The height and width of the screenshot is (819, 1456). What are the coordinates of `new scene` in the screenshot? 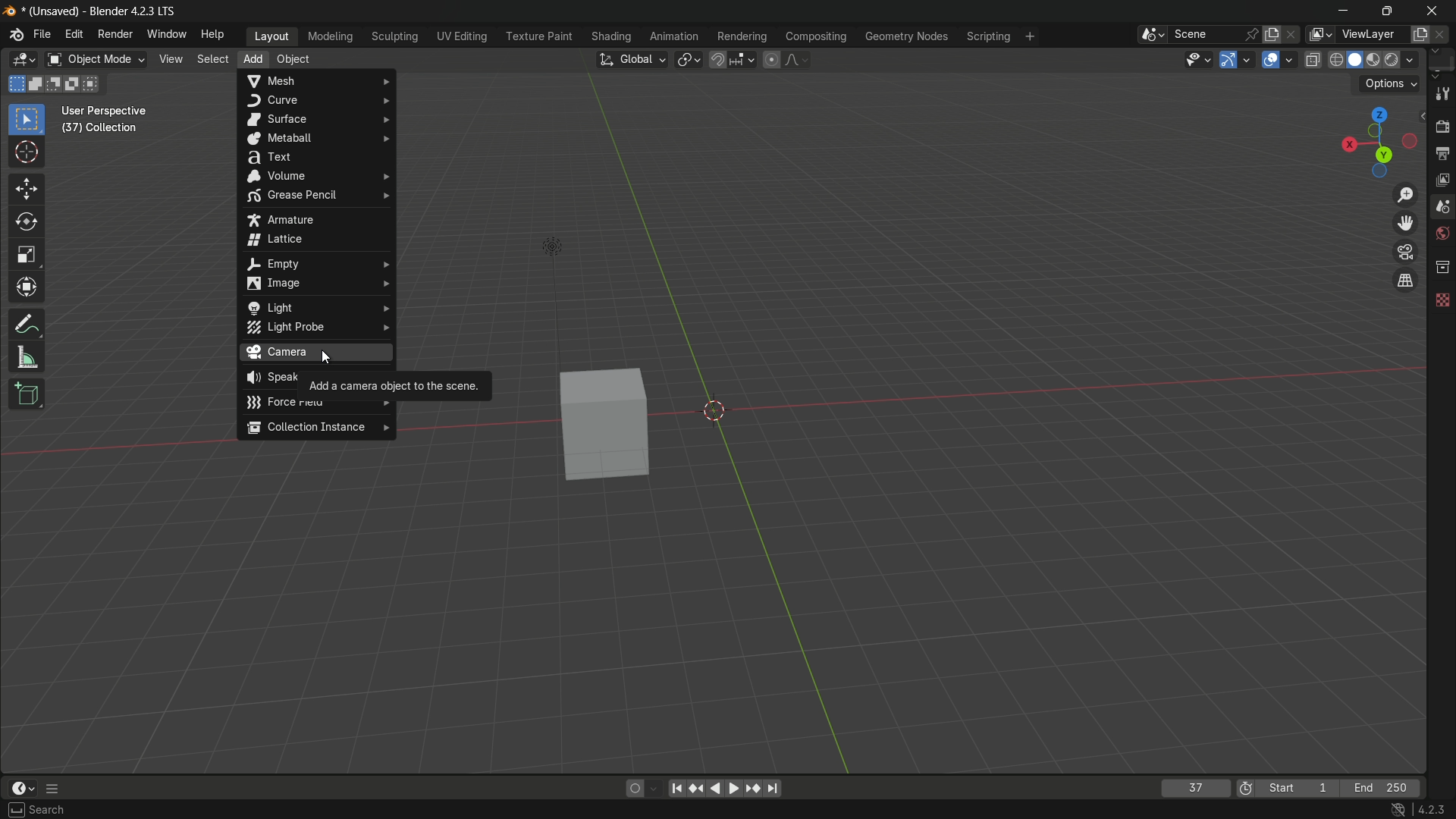 It's located at (1274, 36).